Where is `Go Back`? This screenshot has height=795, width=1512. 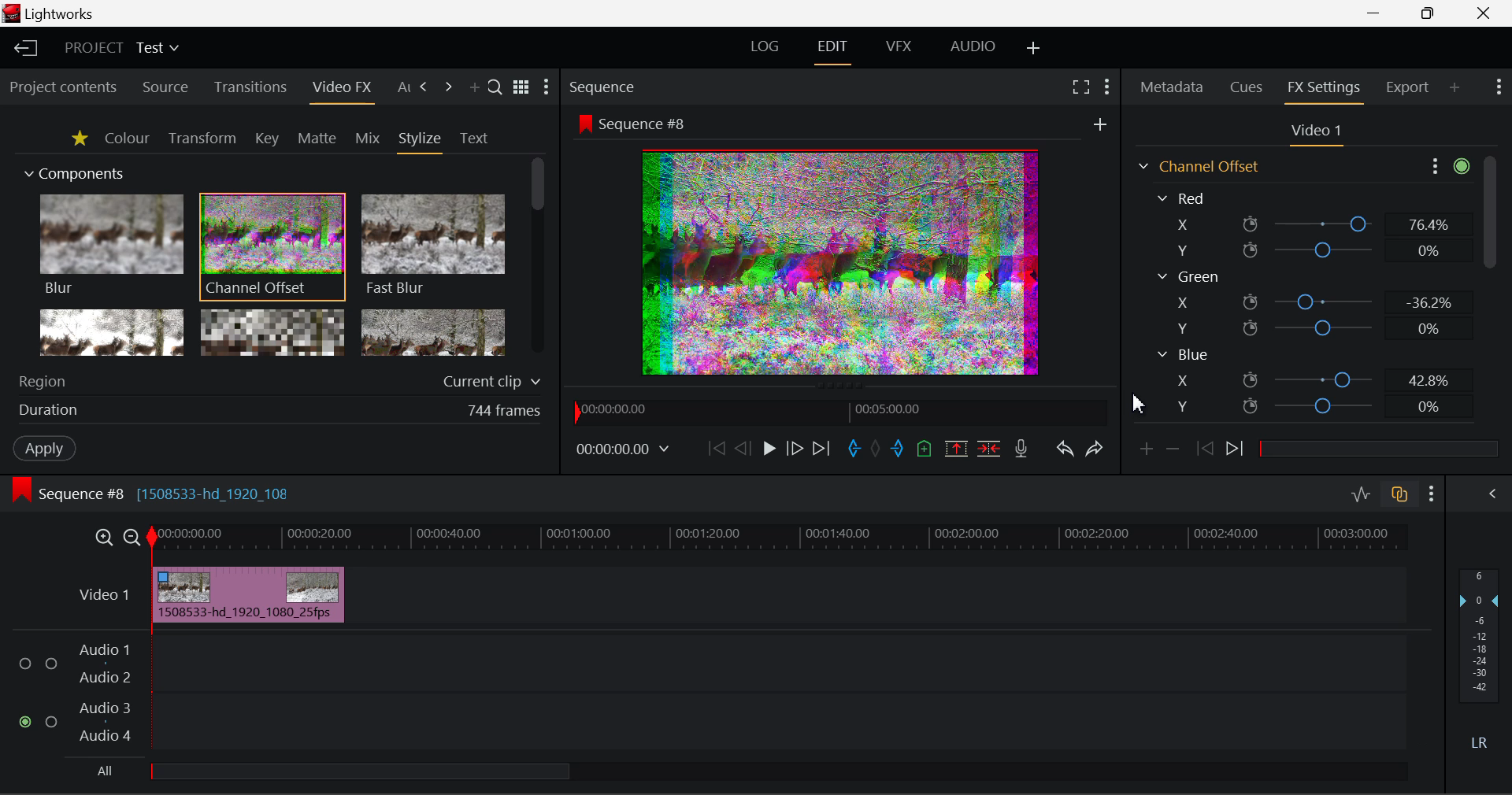
Go Back is located at coordinates (741, 449).